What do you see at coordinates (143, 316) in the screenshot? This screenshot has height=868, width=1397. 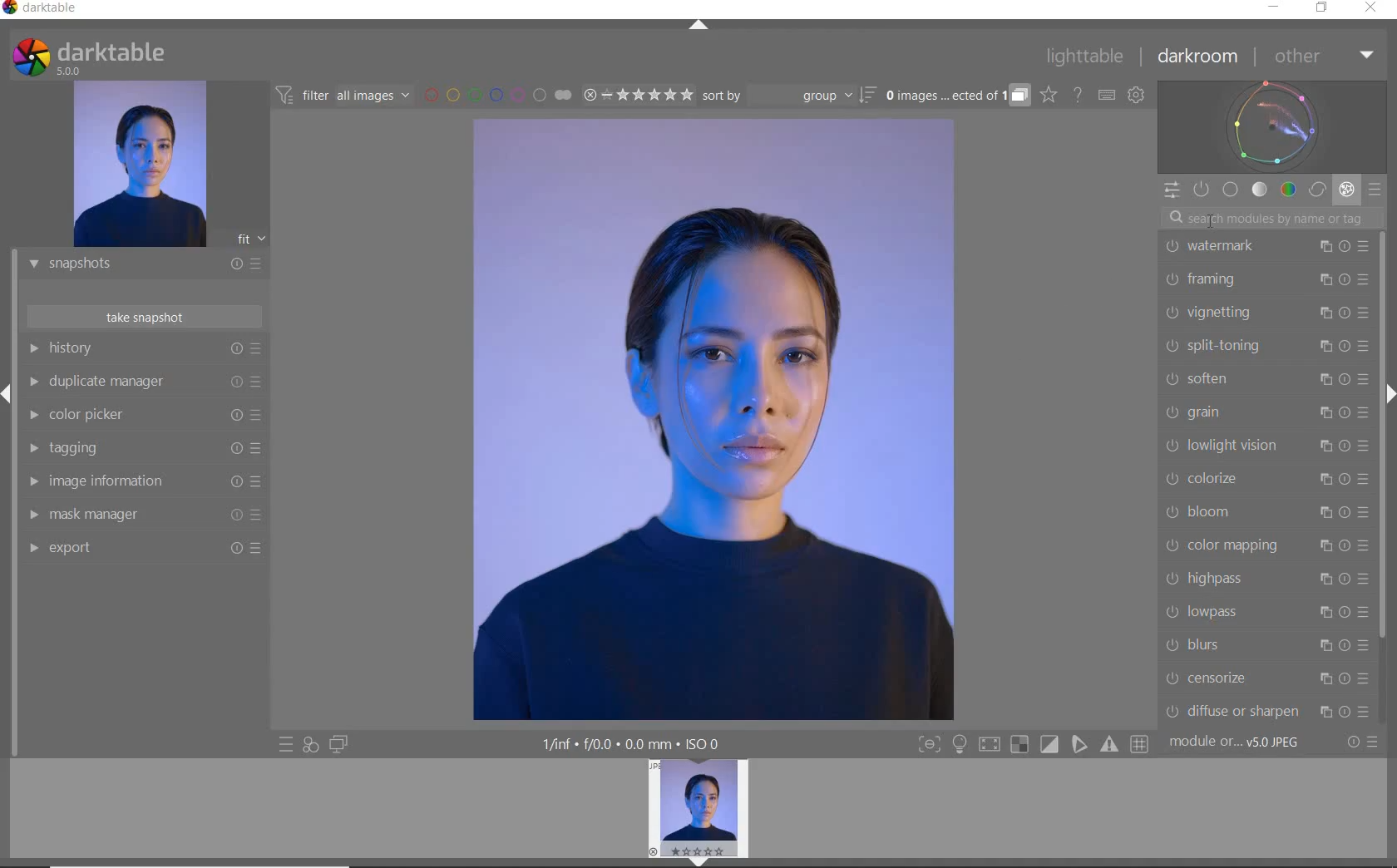 I see `TAKE SNAPSHOT` at bounding box center [143, 316].